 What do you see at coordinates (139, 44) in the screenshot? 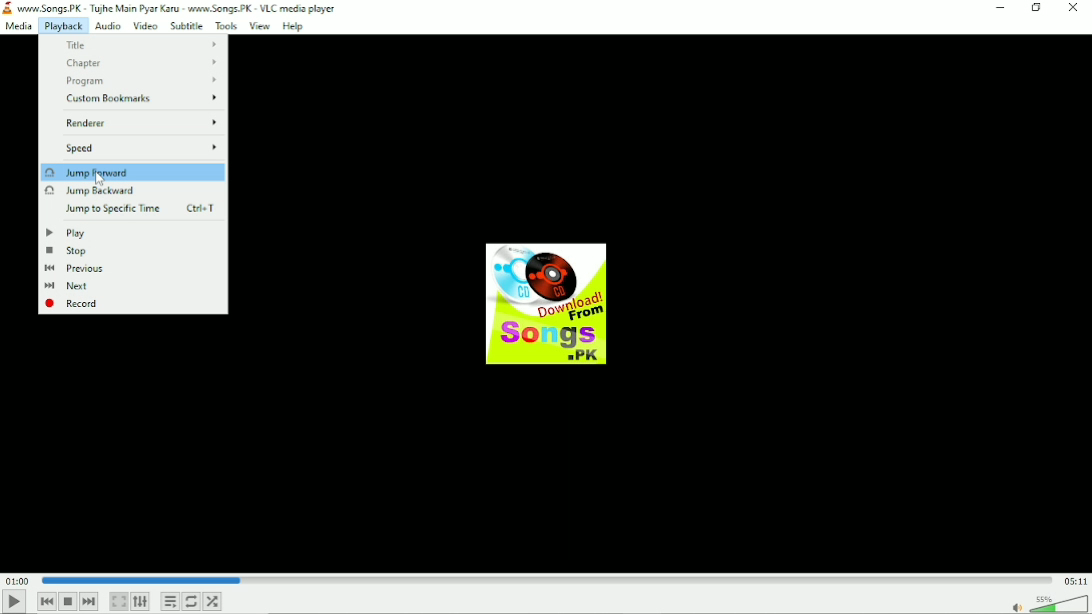
I see `Title` at bounding box center [139, 44].